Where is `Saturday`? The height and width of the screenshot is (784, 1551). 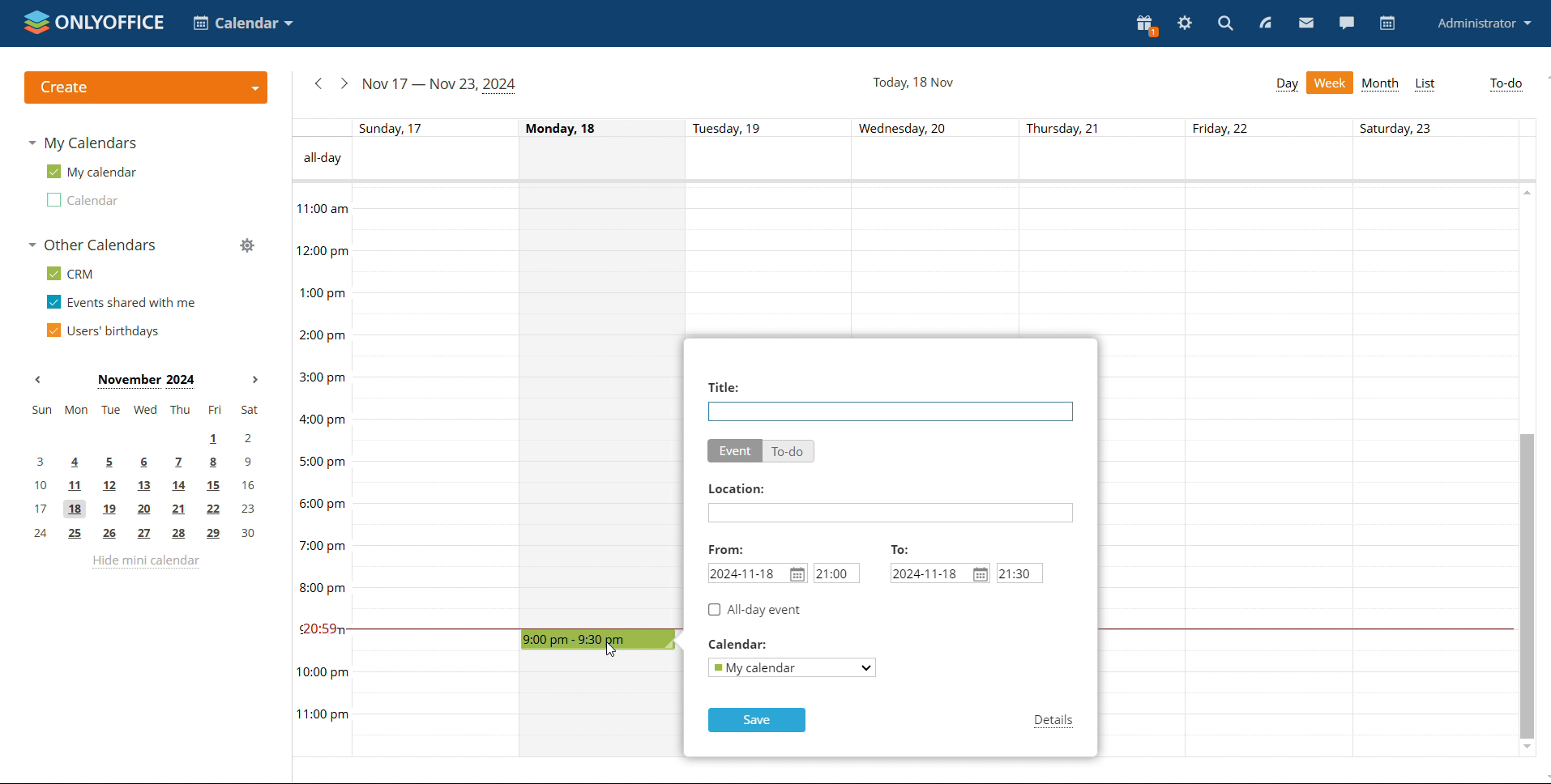 Saturday is located at coordinates (1431, 471).